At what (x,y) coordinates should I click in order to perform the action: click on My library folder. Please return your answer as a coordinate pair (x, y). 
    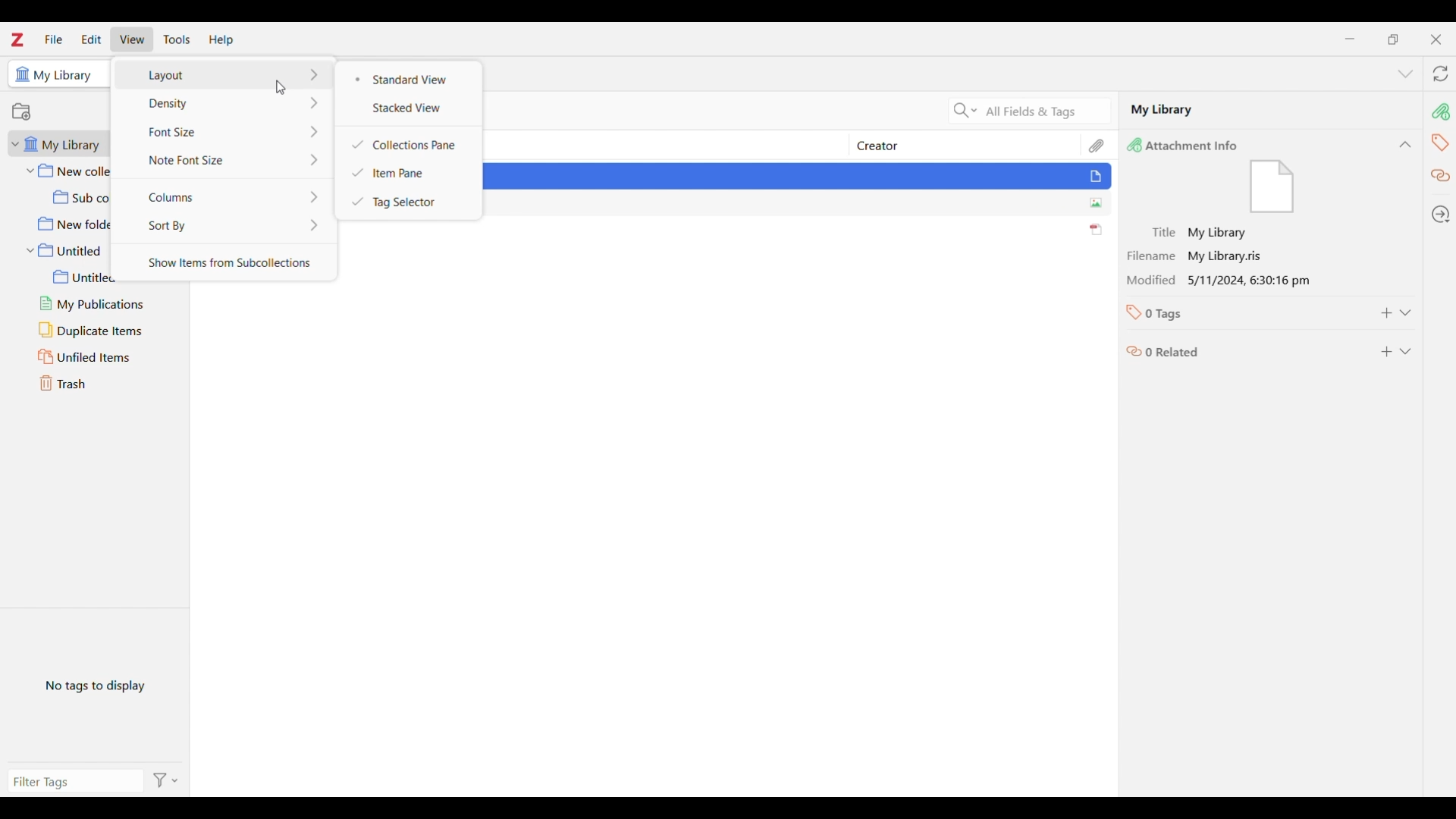
    Looking at the image, I should click on (61, 143).